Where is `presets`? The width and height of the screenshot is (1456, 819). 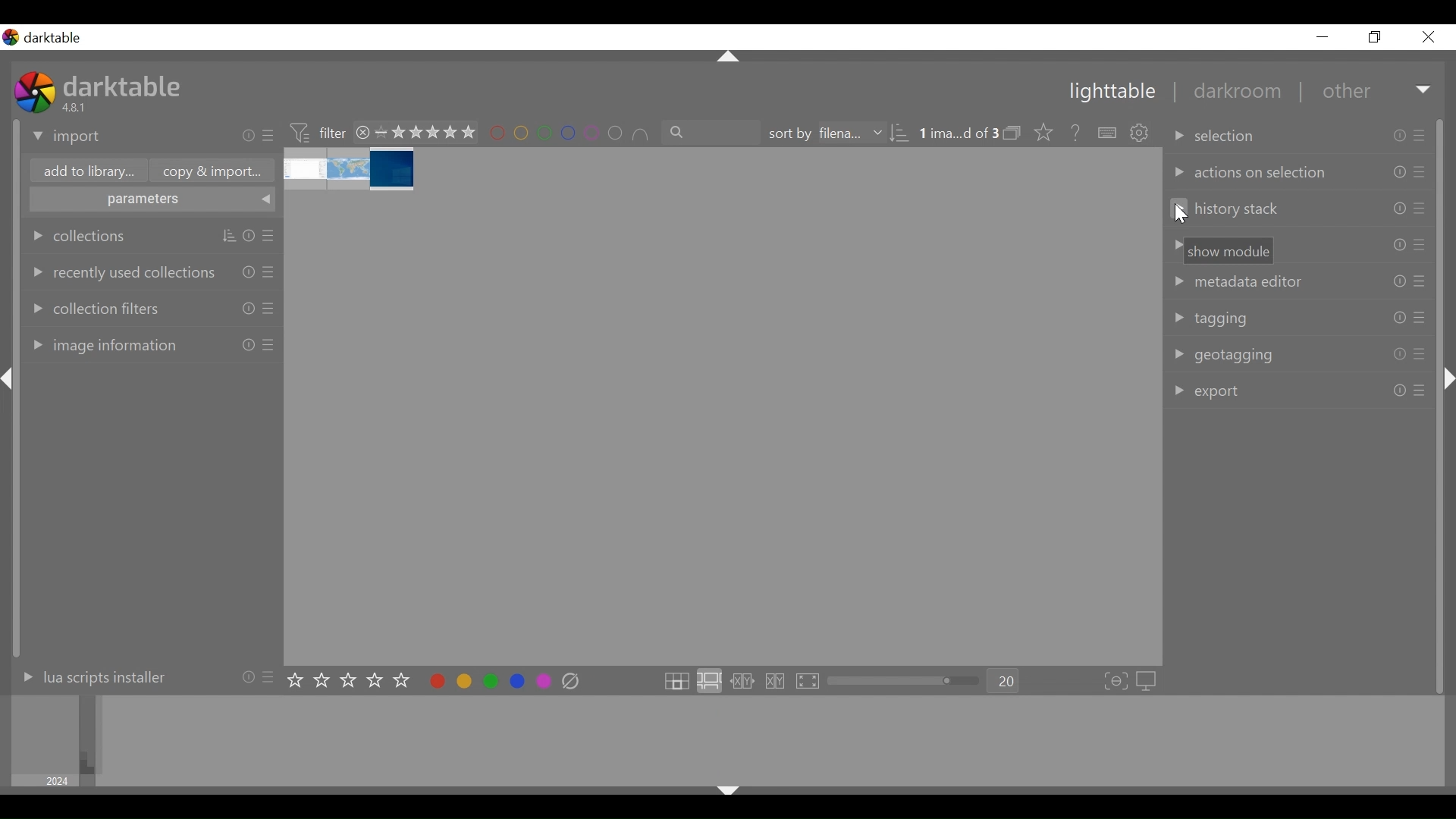 presets is located at coordinates (1420, 318).